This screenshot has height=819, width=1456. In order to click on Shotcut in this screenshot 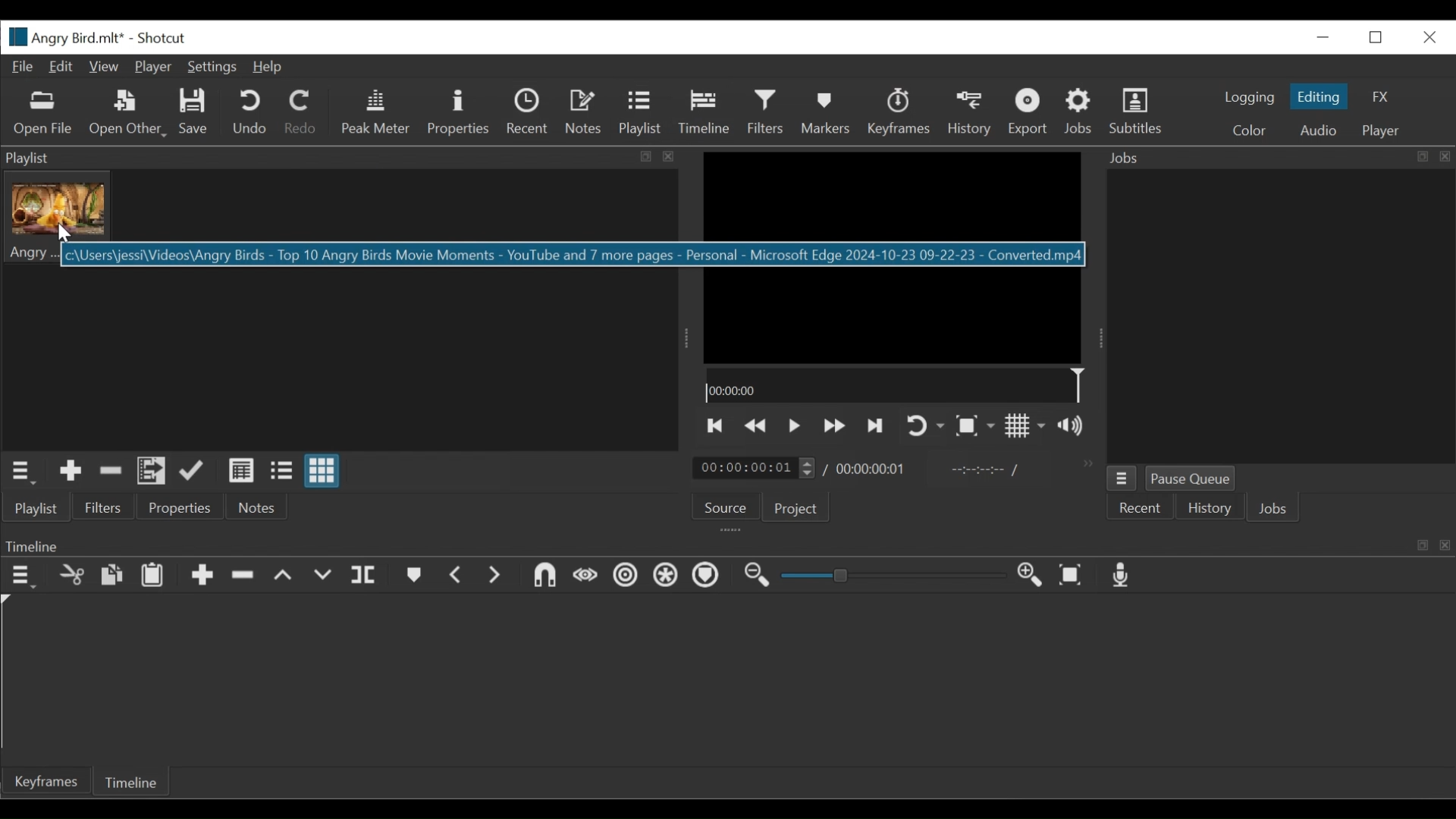, I will do `click(162, 39)`.